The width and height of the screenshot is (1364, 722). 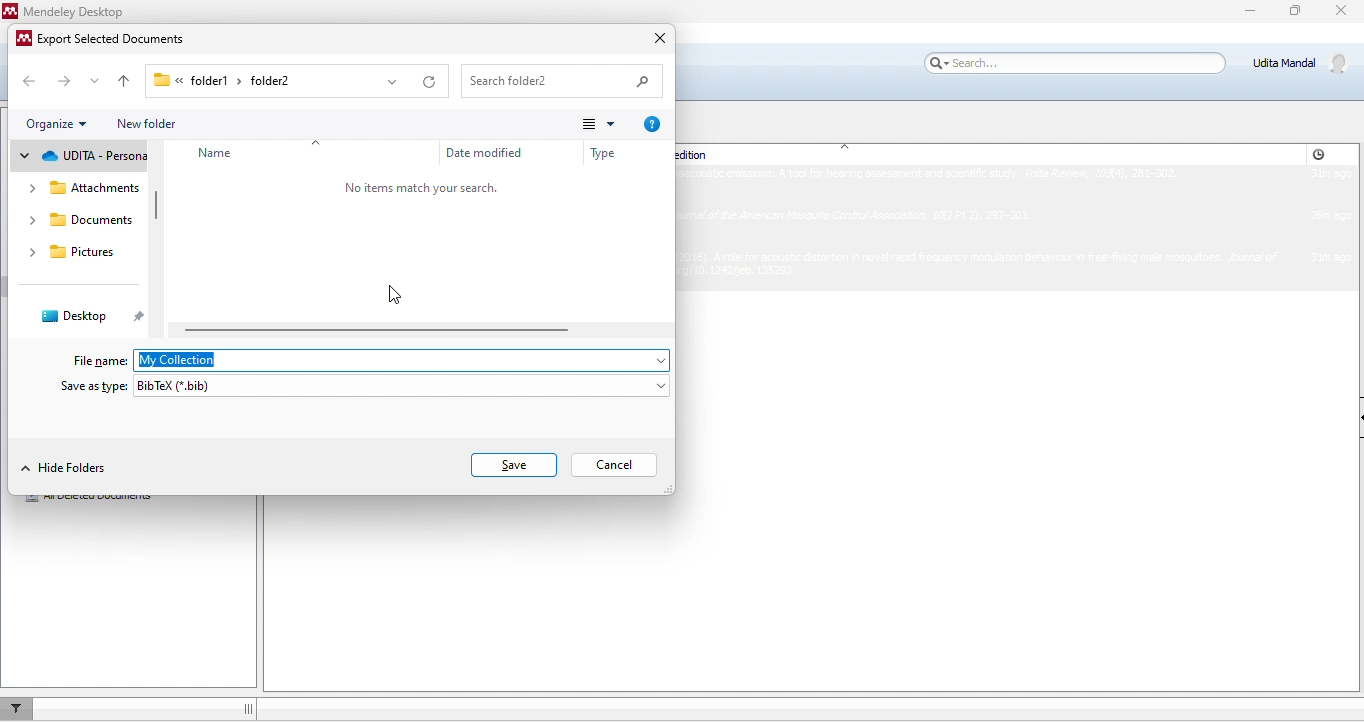 I want to click on files and folders, so click(x=79, y=219).